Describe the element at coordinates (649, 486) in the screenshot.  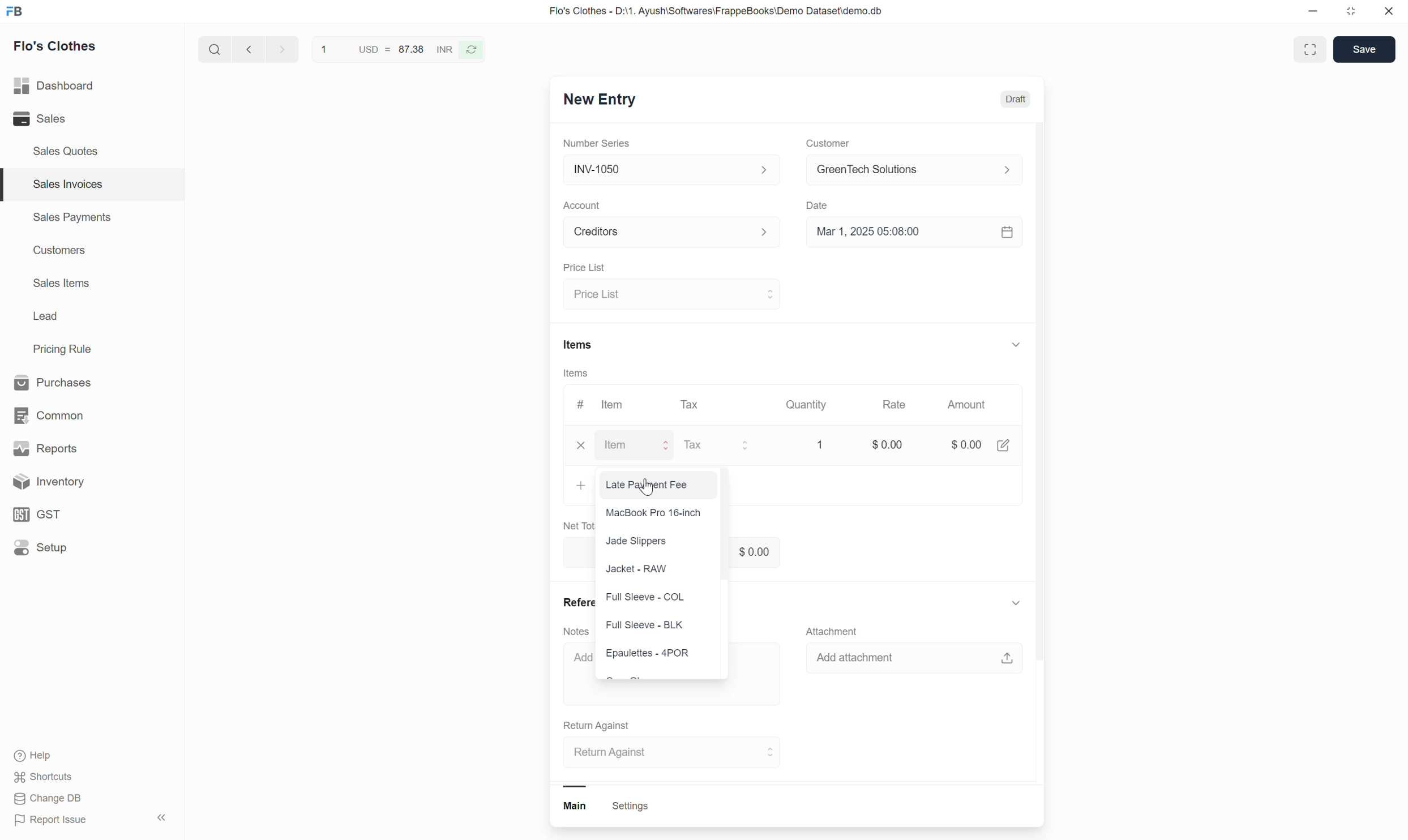
I see `Late Payment Fee` at that location.